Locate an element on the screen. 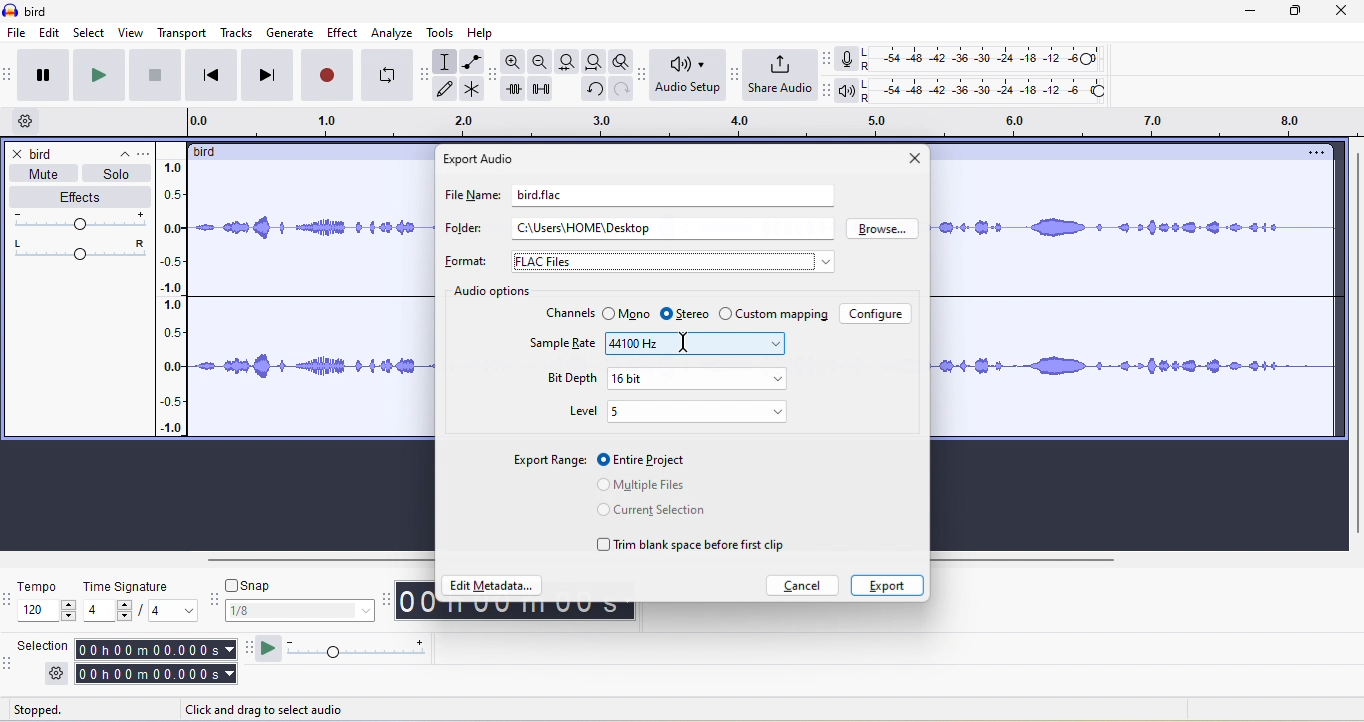 This screenshot has height=722, width=1364. bird is located at coordinates (213, 152).